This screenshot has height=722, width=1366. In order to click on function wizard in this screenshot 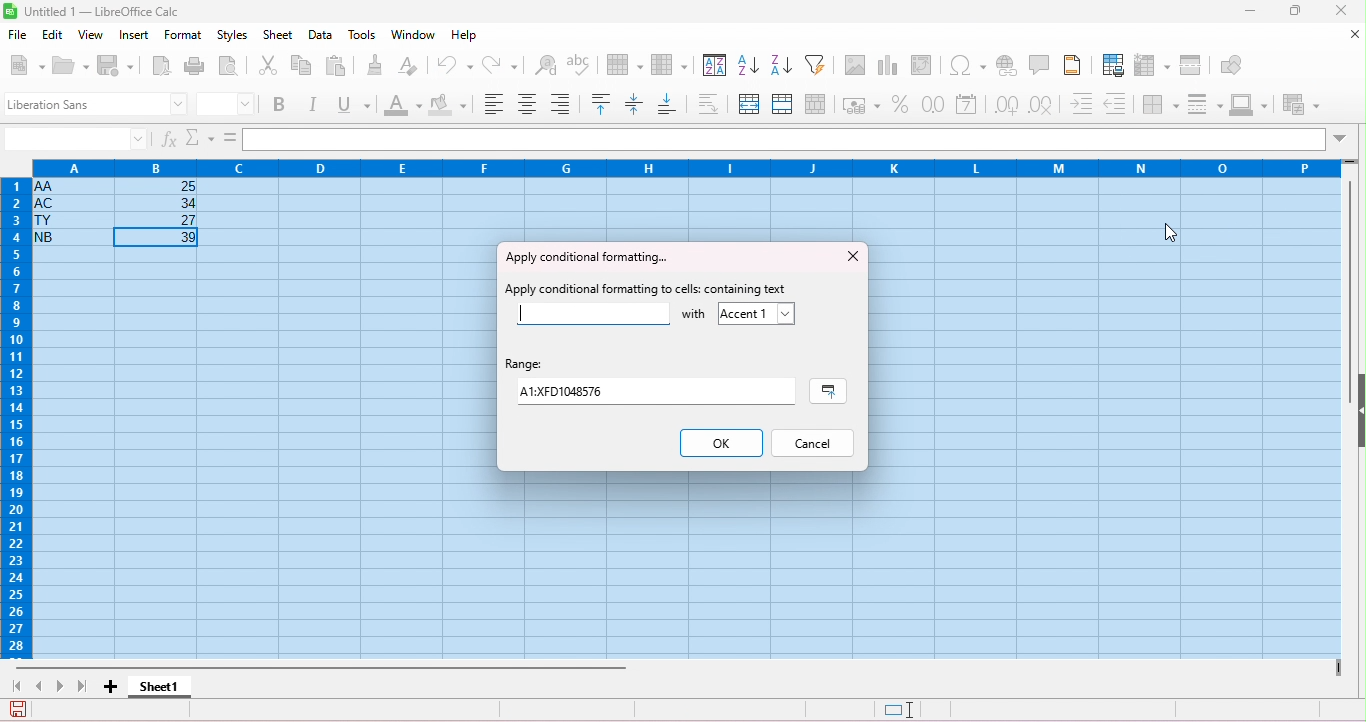, I will do `click(171, 140)`.